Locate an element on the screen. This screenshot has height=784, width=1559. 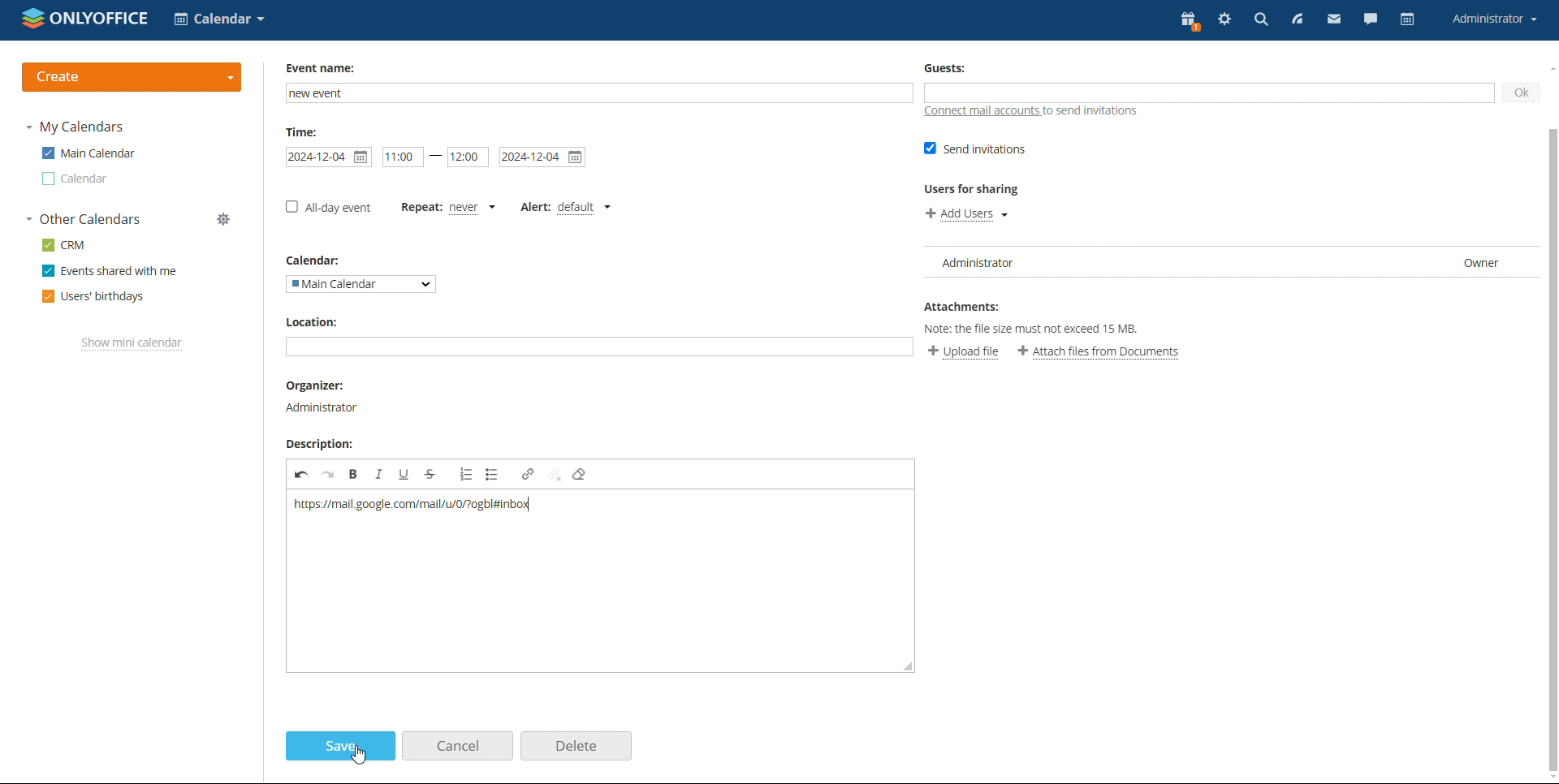
to send invitations is located at coordinates (1097, 113).